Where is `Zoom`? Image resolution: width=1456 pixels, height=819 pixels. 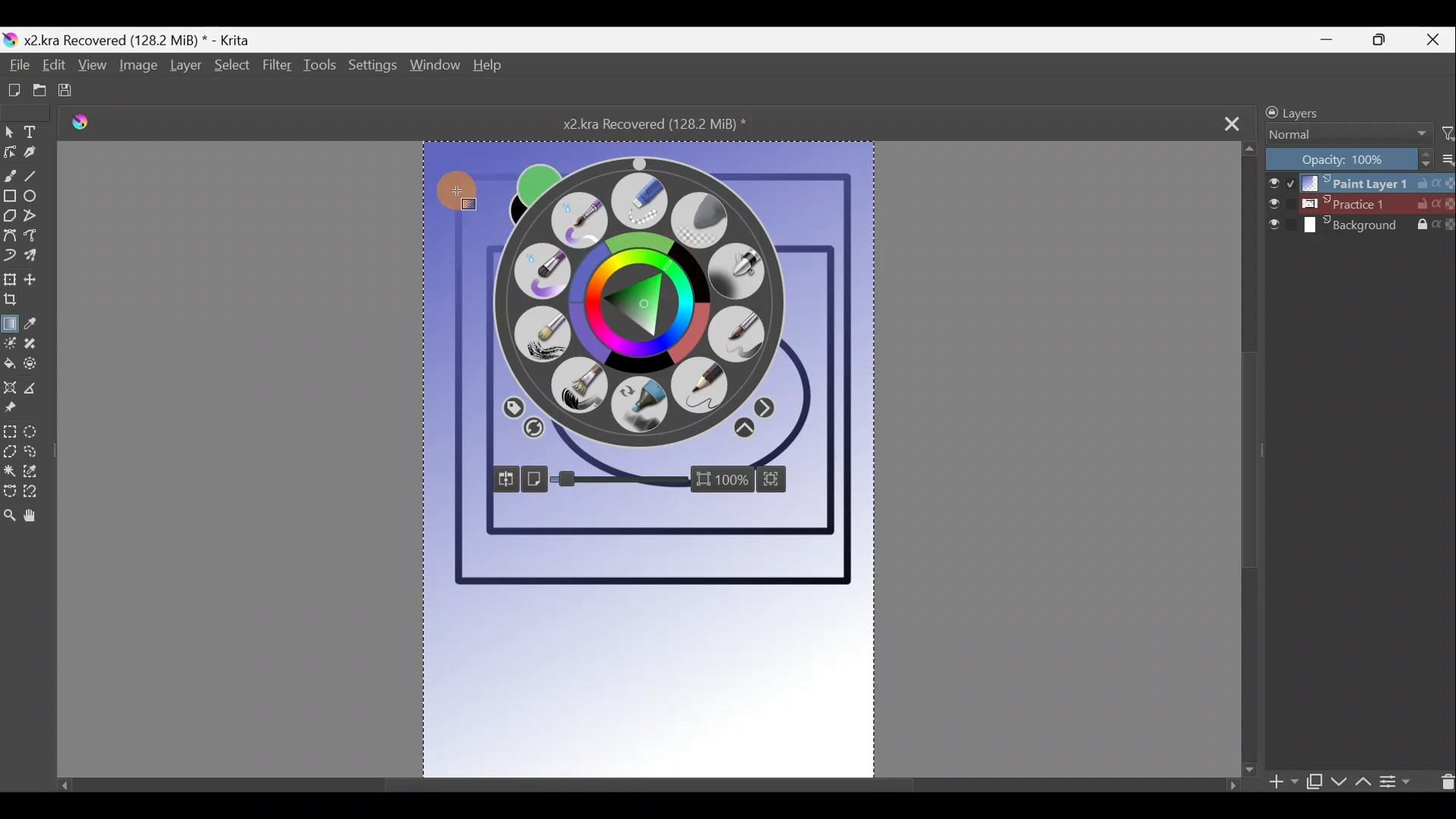
Zoom is located at coordinates (652, 479).